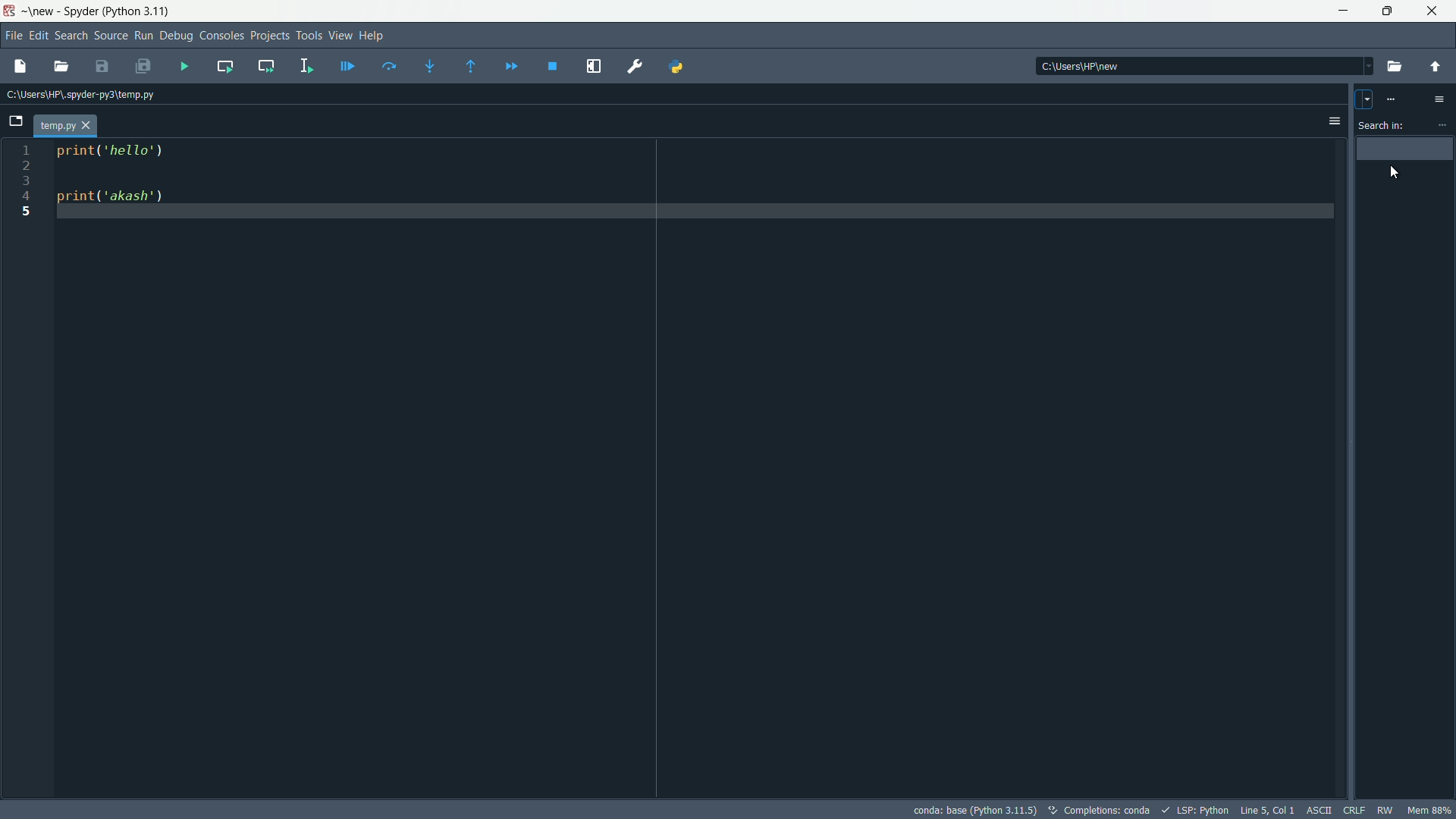 The image size is (1456, 819). Describe the element at coordinates (552, 66) in the screenshot. I see `stop debugging` at that location.